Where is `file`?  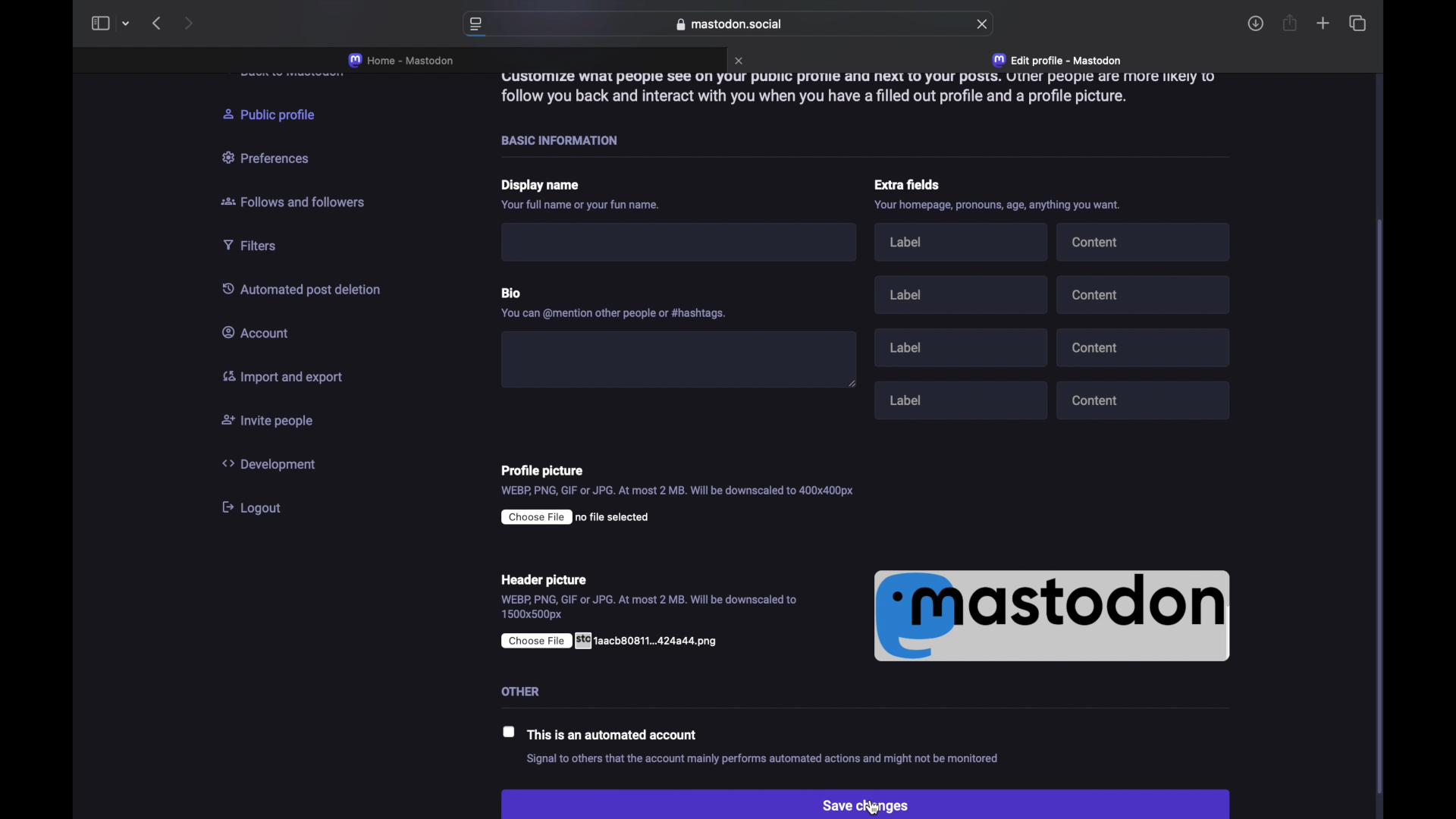
file is located at coordinates (613, 640).